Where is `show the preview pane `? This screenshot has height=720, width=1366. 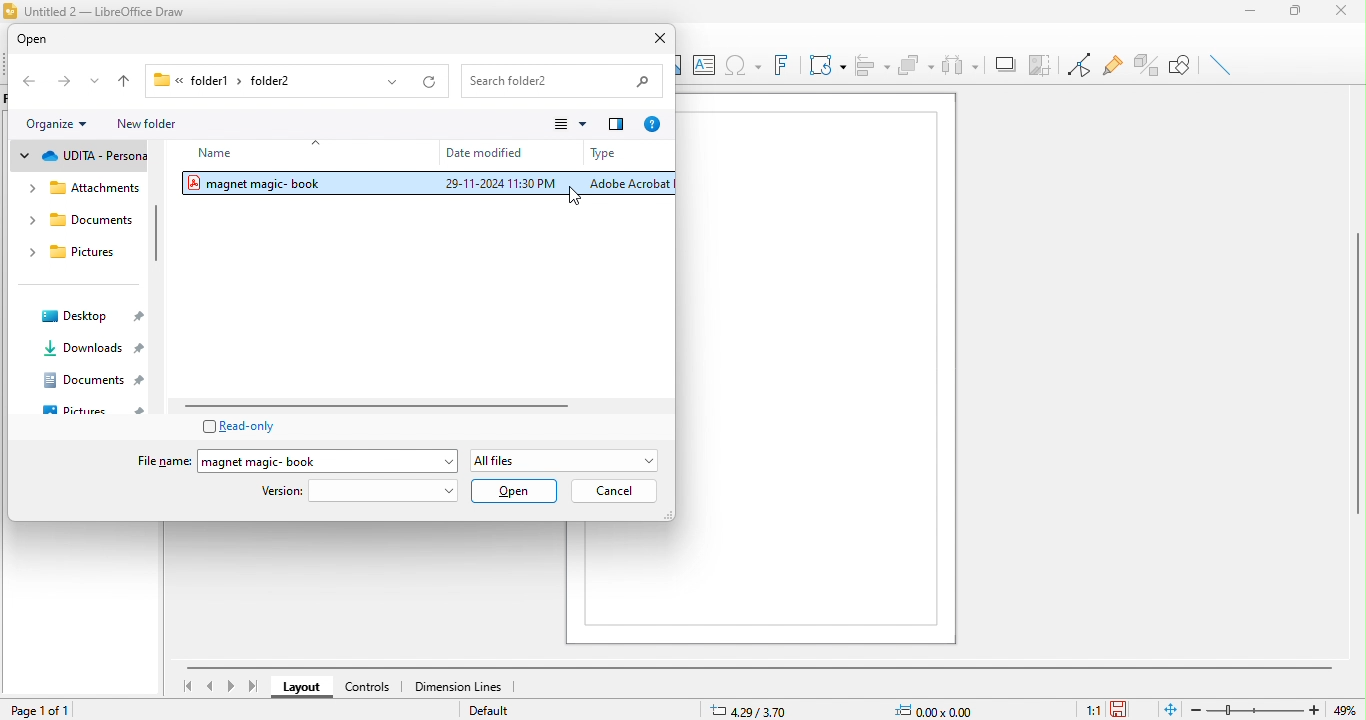
show the preview pane  is located at coordinates (619, 126).